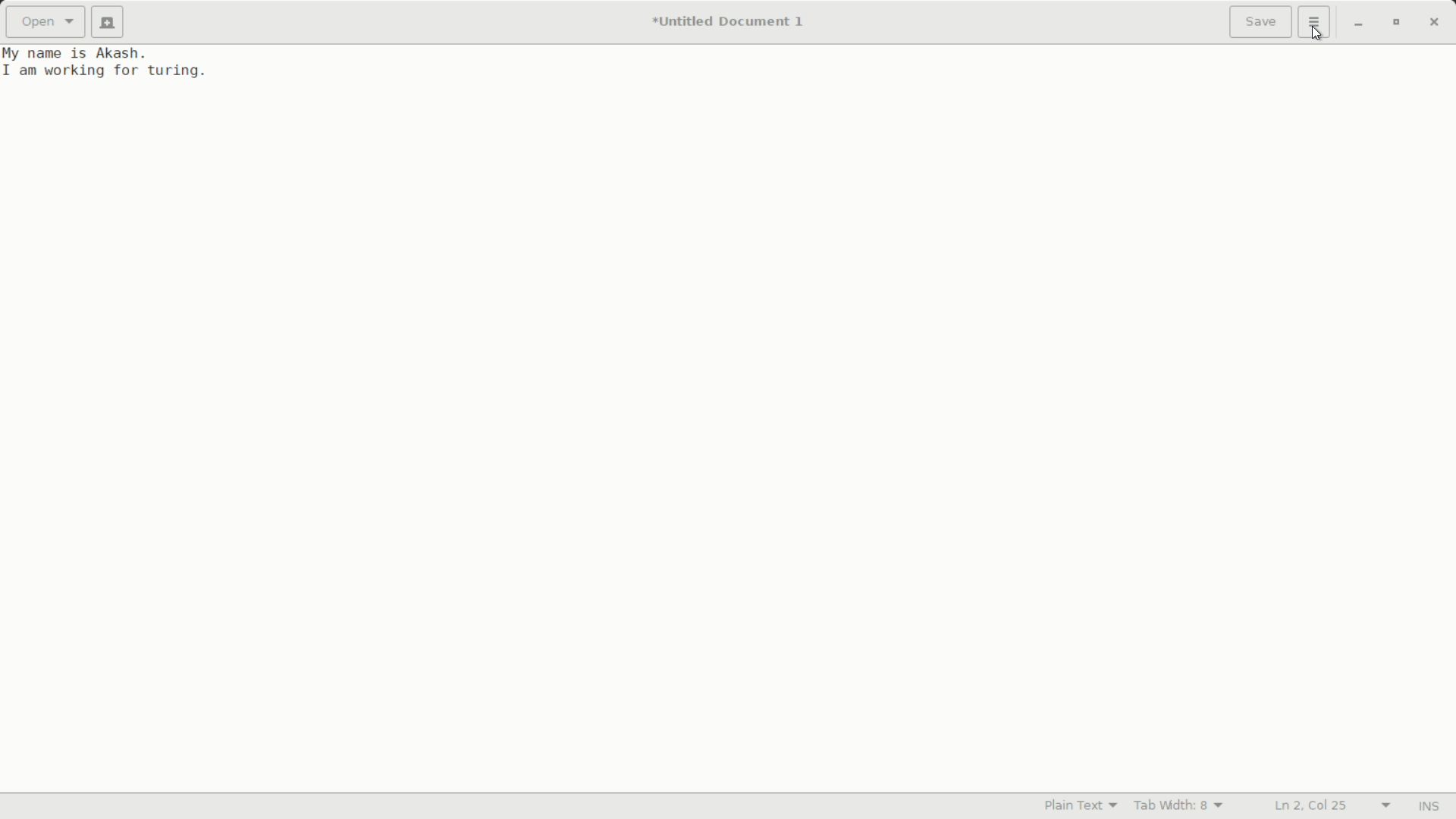  What do you see at coordinates (108, 22) in the screenshot?
I see `new document` at bounding box center [108, 22].